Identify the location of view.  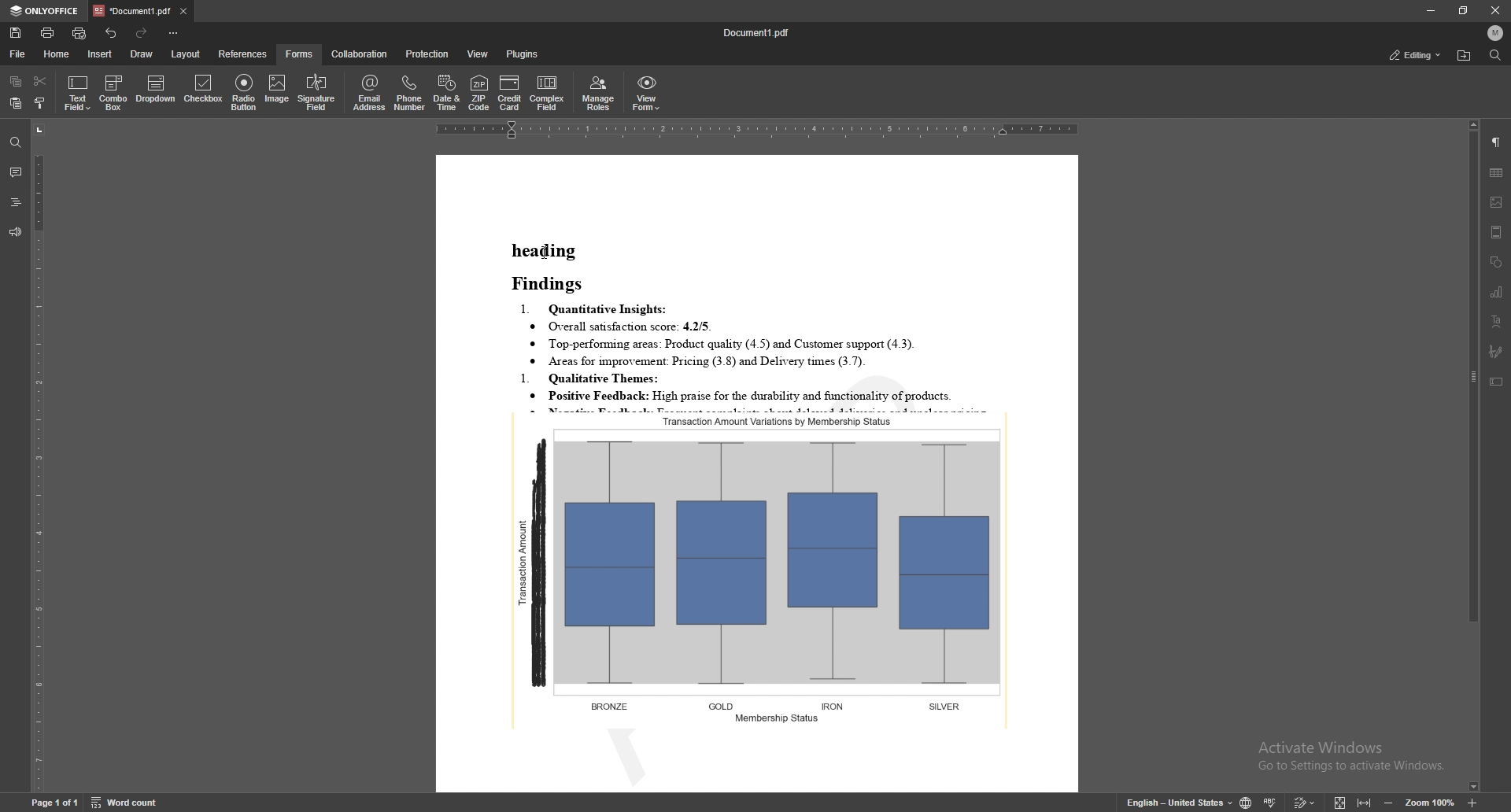
(479, 54).